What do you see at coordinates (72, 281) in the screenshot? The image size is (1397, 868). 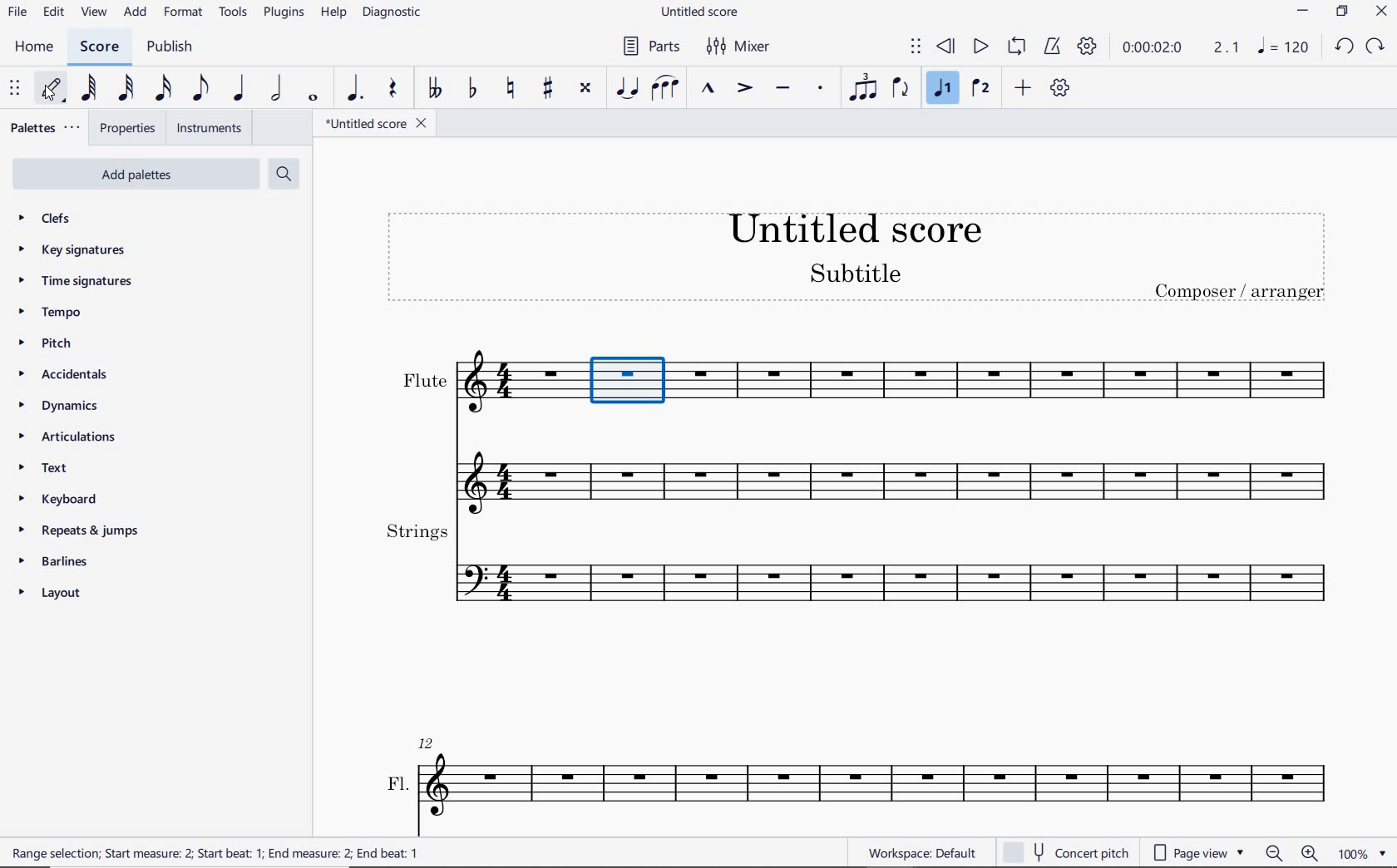 I see `time signatures` at bounding box center [72, 281].